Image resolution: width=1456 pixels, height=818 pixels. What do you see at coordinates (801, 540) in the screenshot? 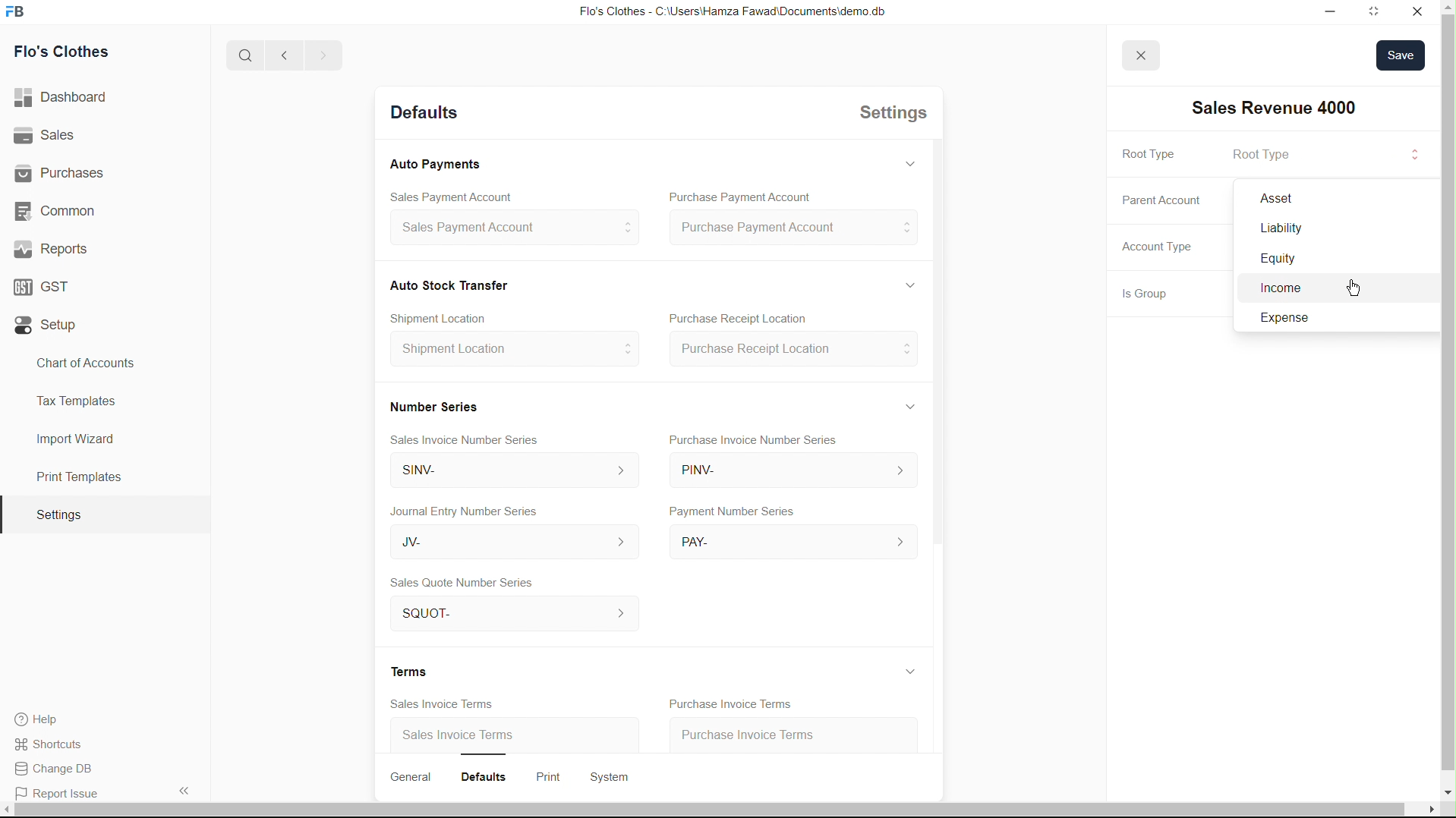
I see `PAY-` at bounding box center [801, 540].